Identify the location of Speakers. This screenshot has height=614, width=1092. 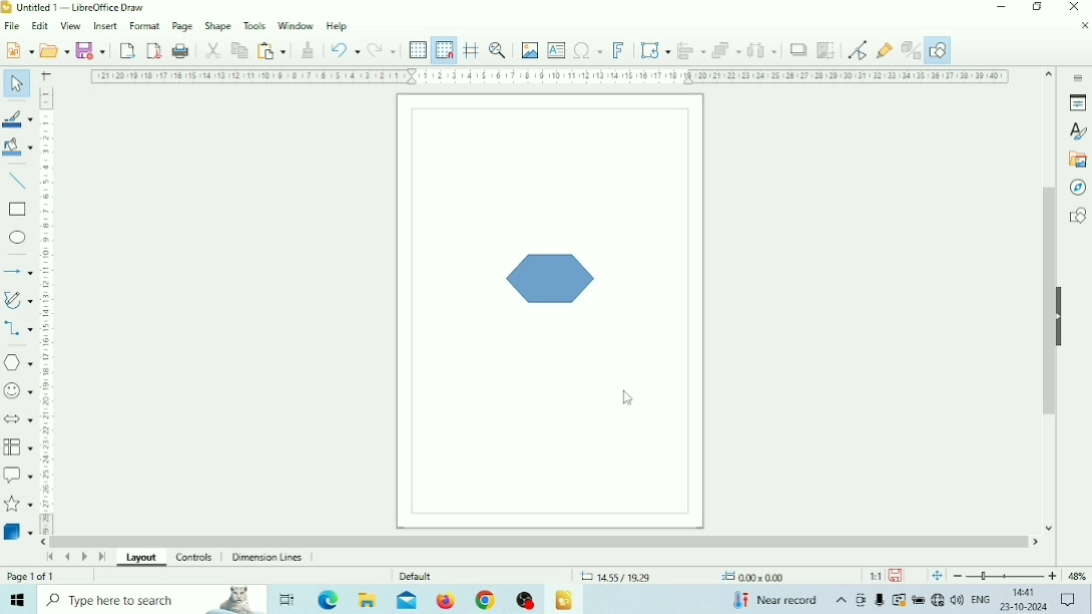
(958, 598).